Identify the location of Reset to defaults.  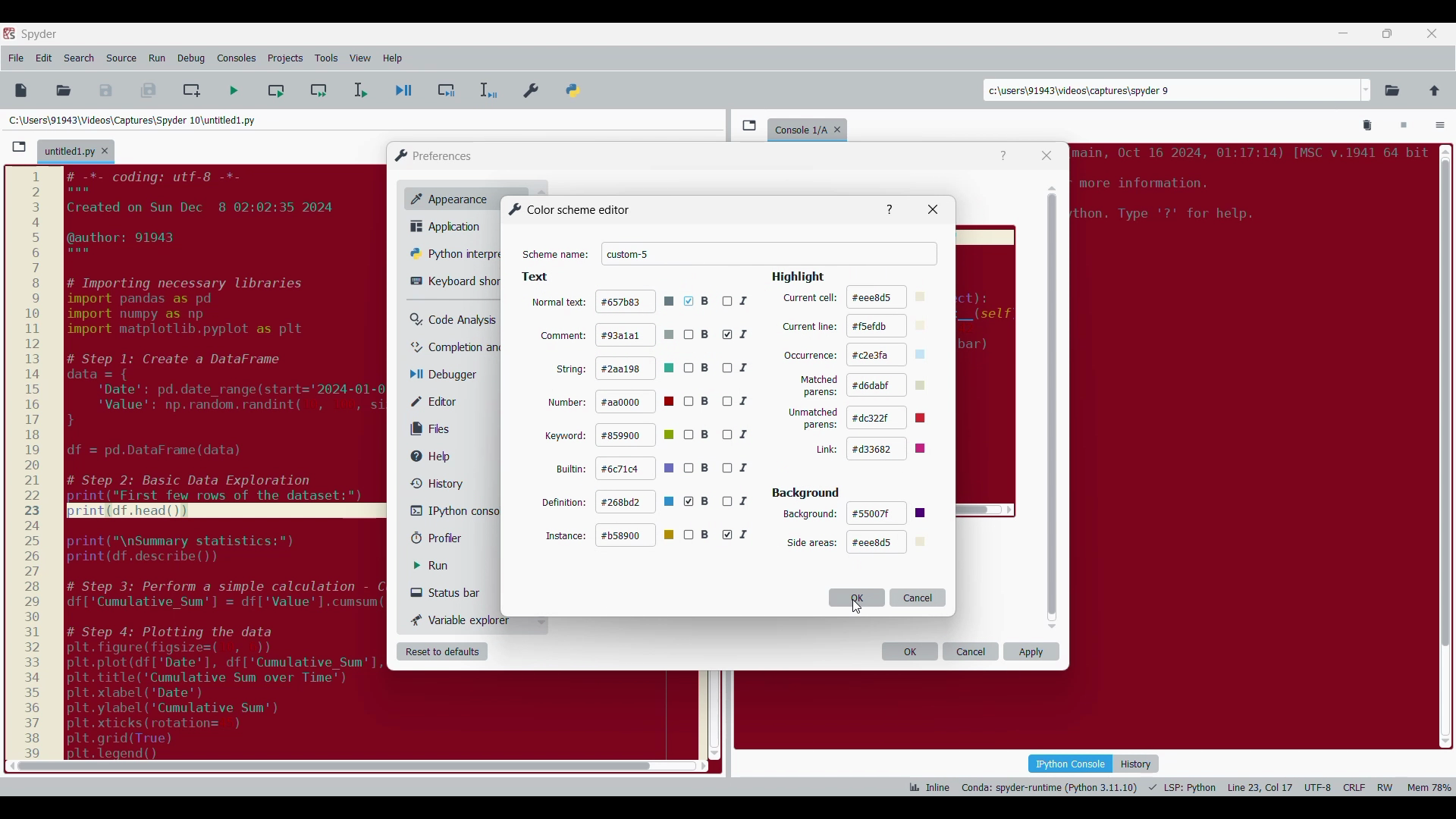
(442, 651).